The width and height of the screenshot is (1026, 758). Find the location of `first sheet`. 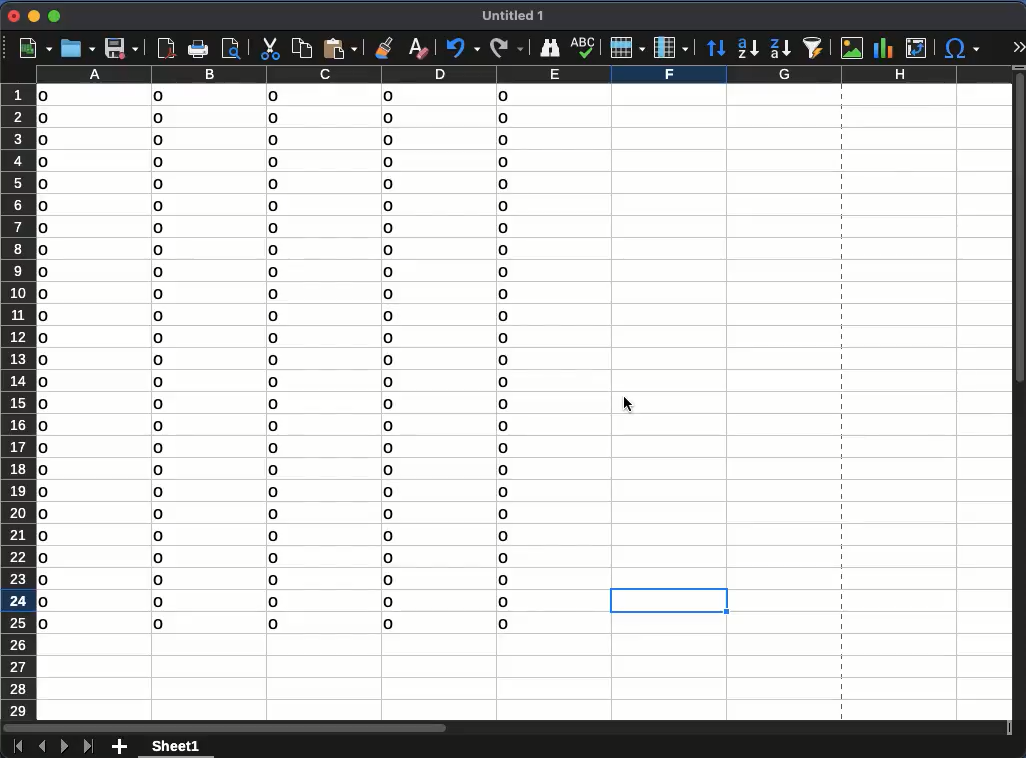

first sheet is located at coordinates (15, 745).